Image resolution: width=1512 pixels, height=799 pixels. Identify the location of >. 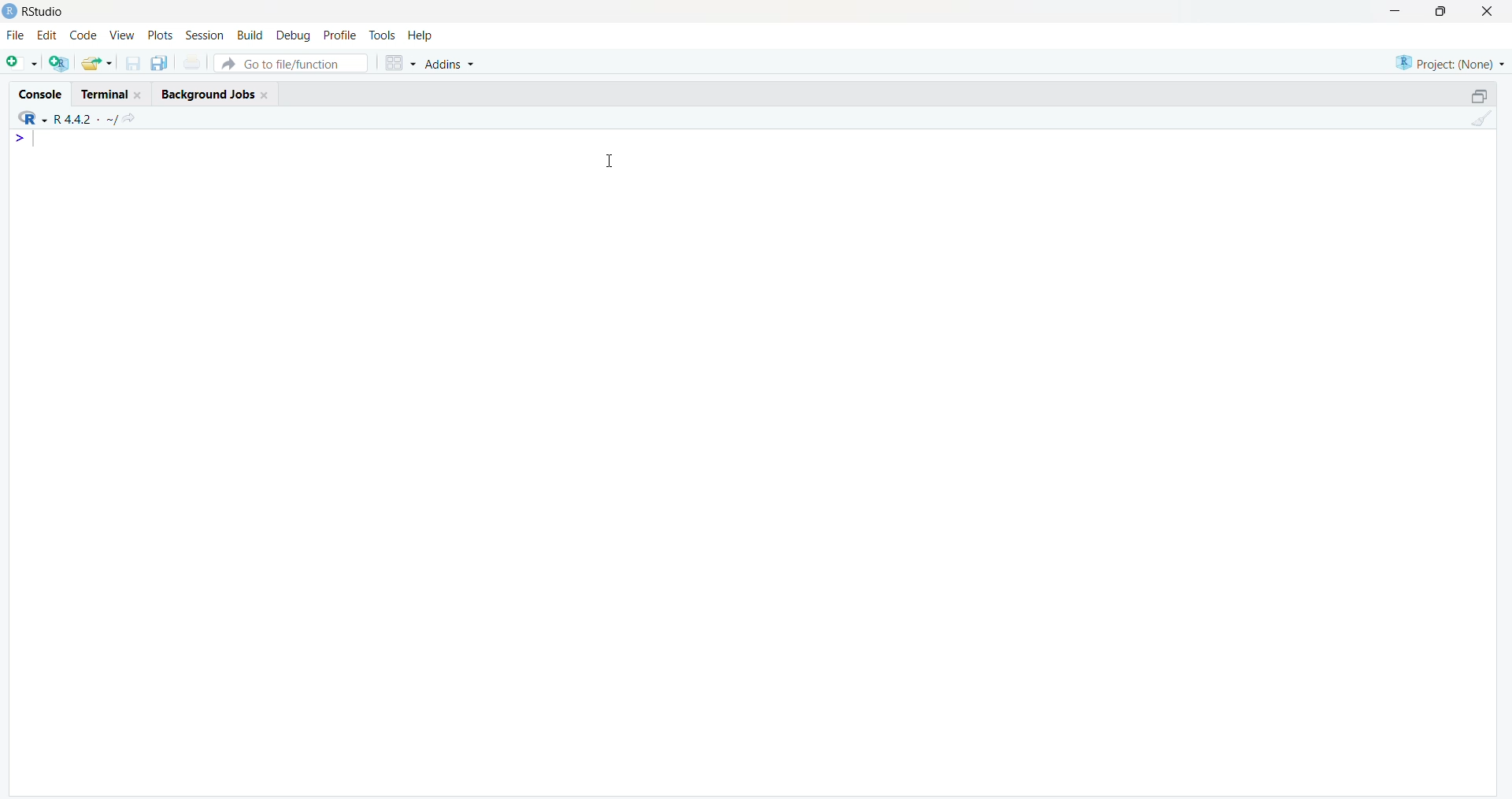
(20, 139).